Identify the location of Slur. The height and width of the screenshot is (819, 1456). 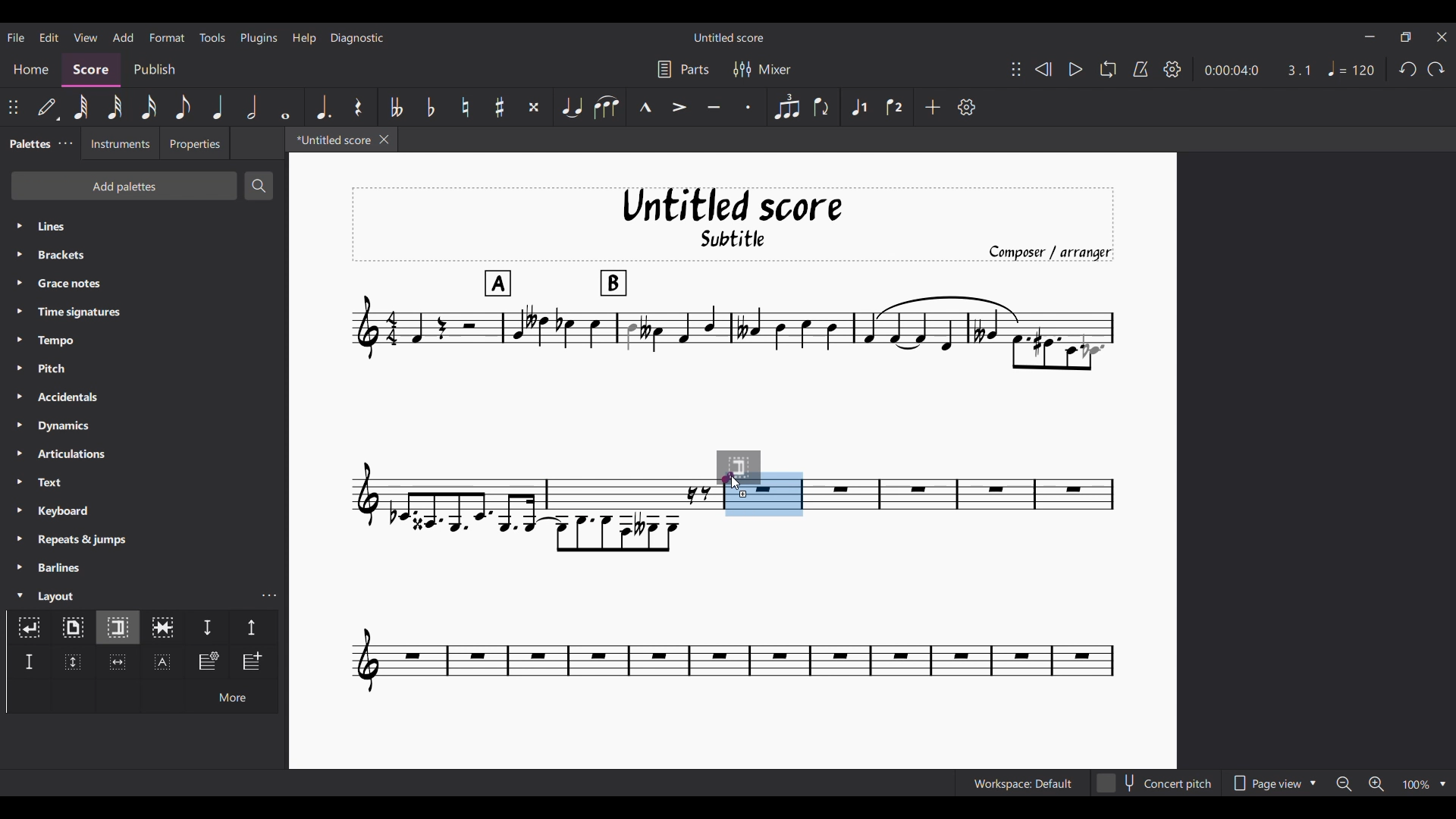
(607, 107).